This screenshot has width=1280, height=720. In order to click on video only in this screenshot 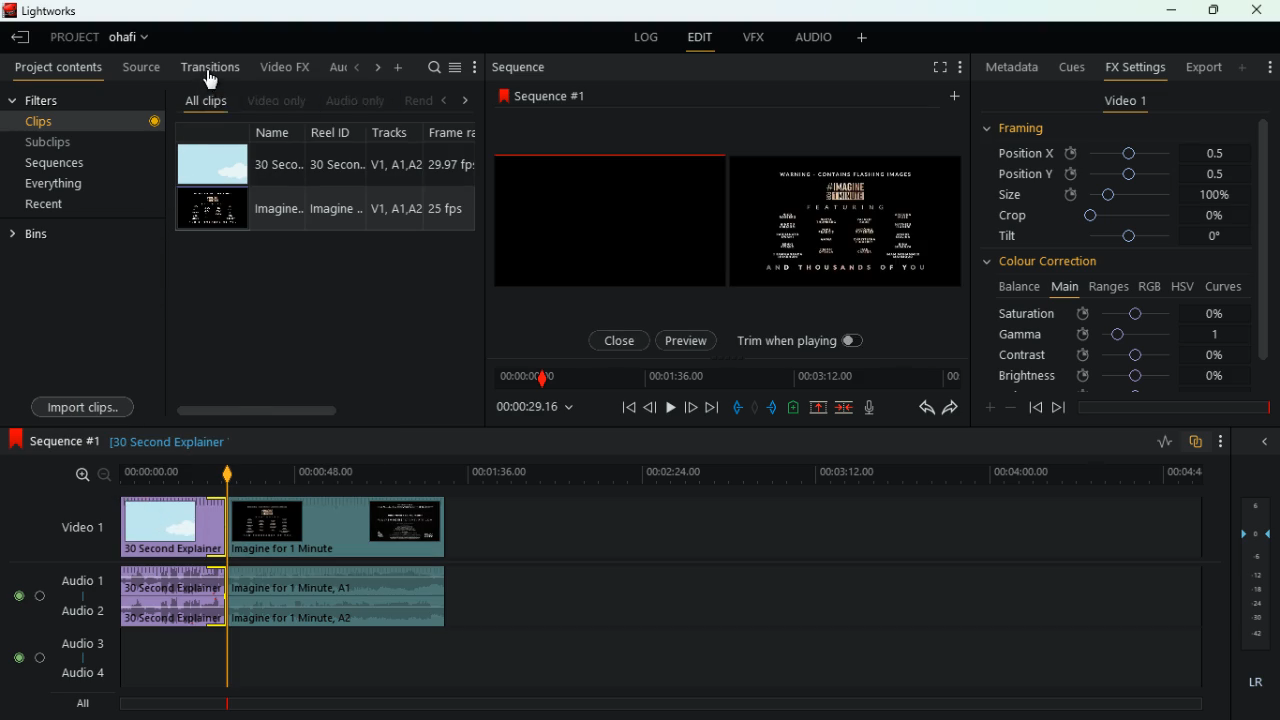, I will do `click(277, 100)`.